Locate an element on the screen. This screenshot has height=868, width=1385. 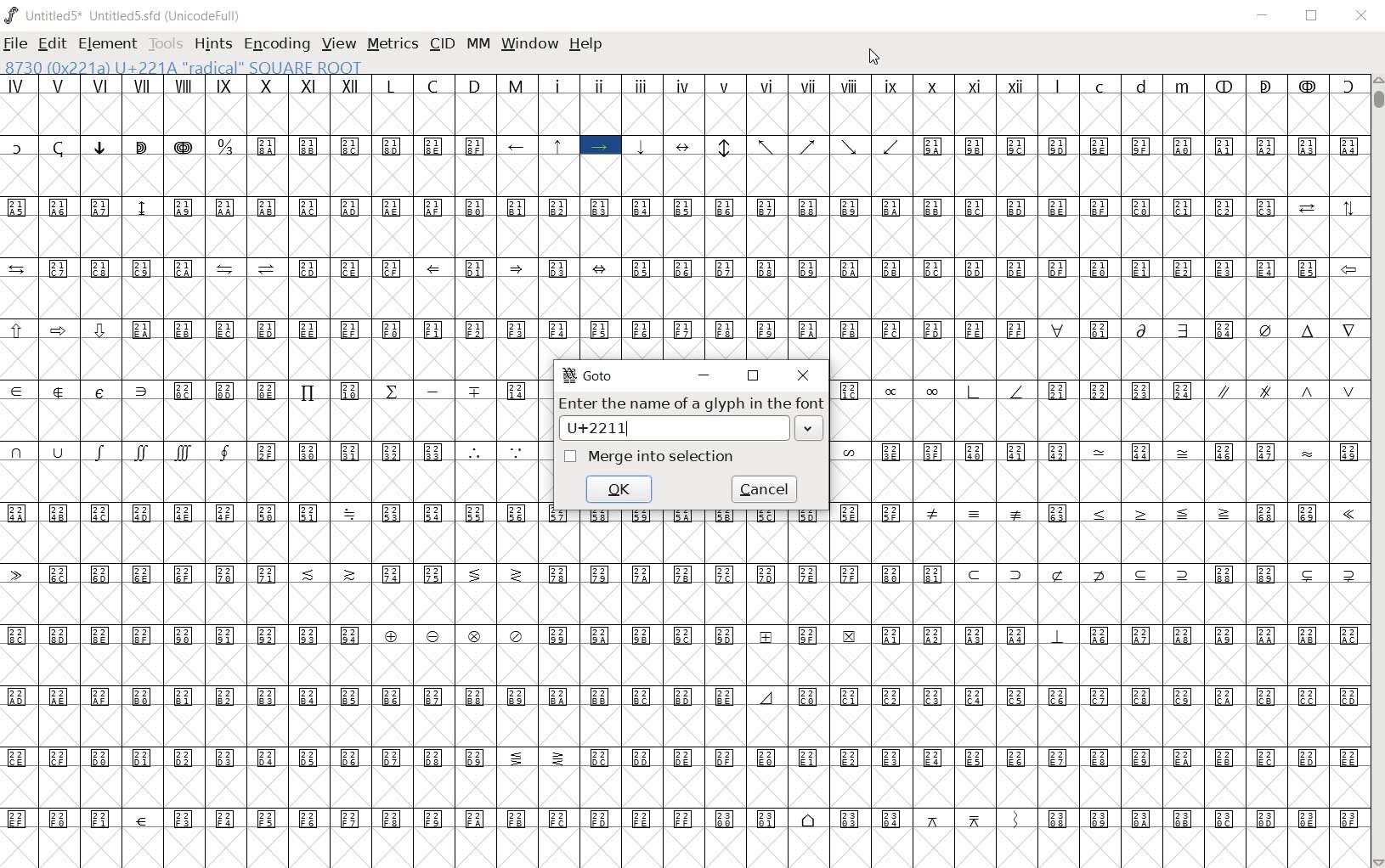
Untitled5* Untitled5.sfd (UnicodeFull) is located at coordinates (127, 15).